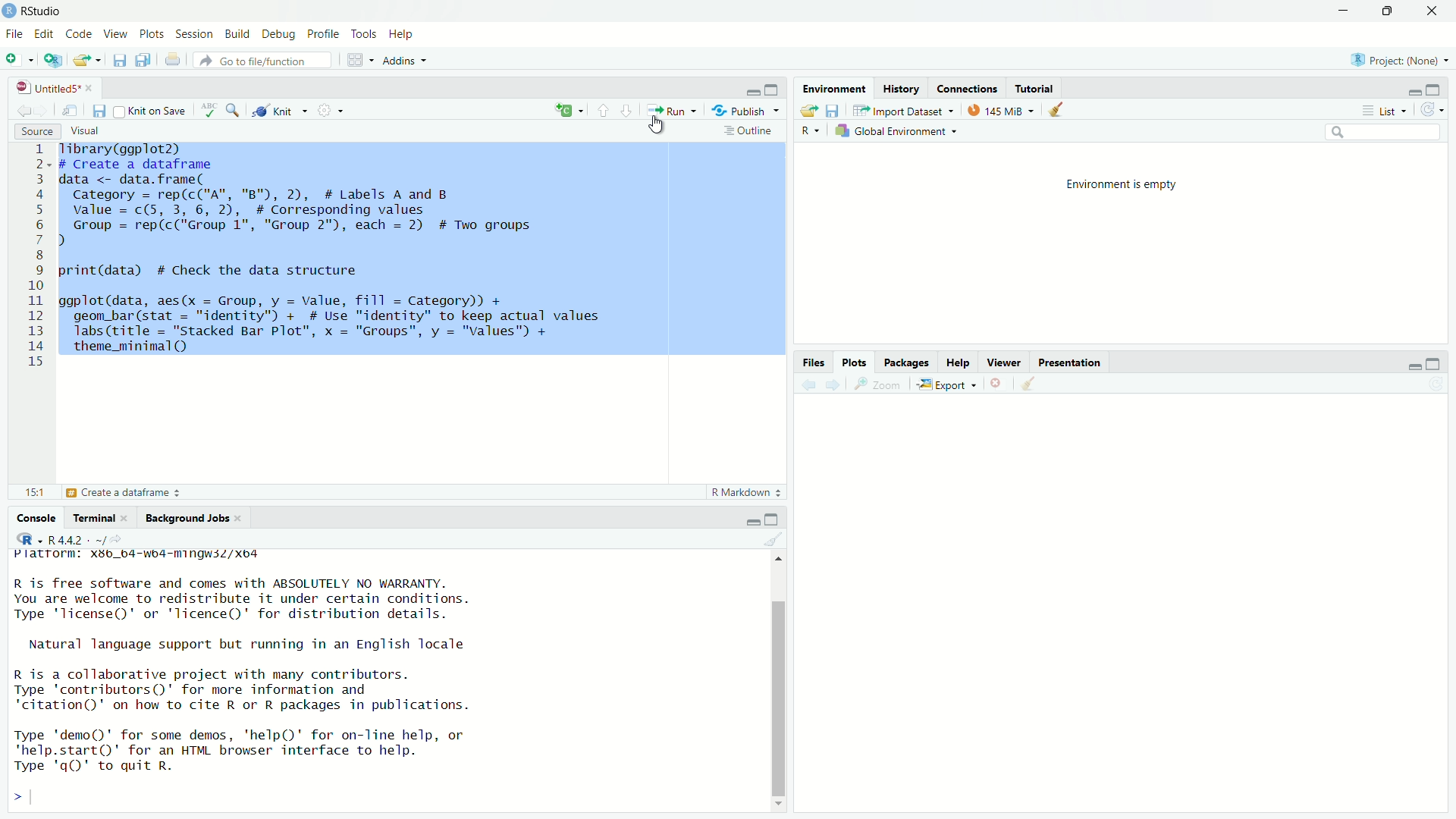  What do you see at coordinates (814, 360) in the screenshot?
I see `Files` at bounding box center [814, 360].